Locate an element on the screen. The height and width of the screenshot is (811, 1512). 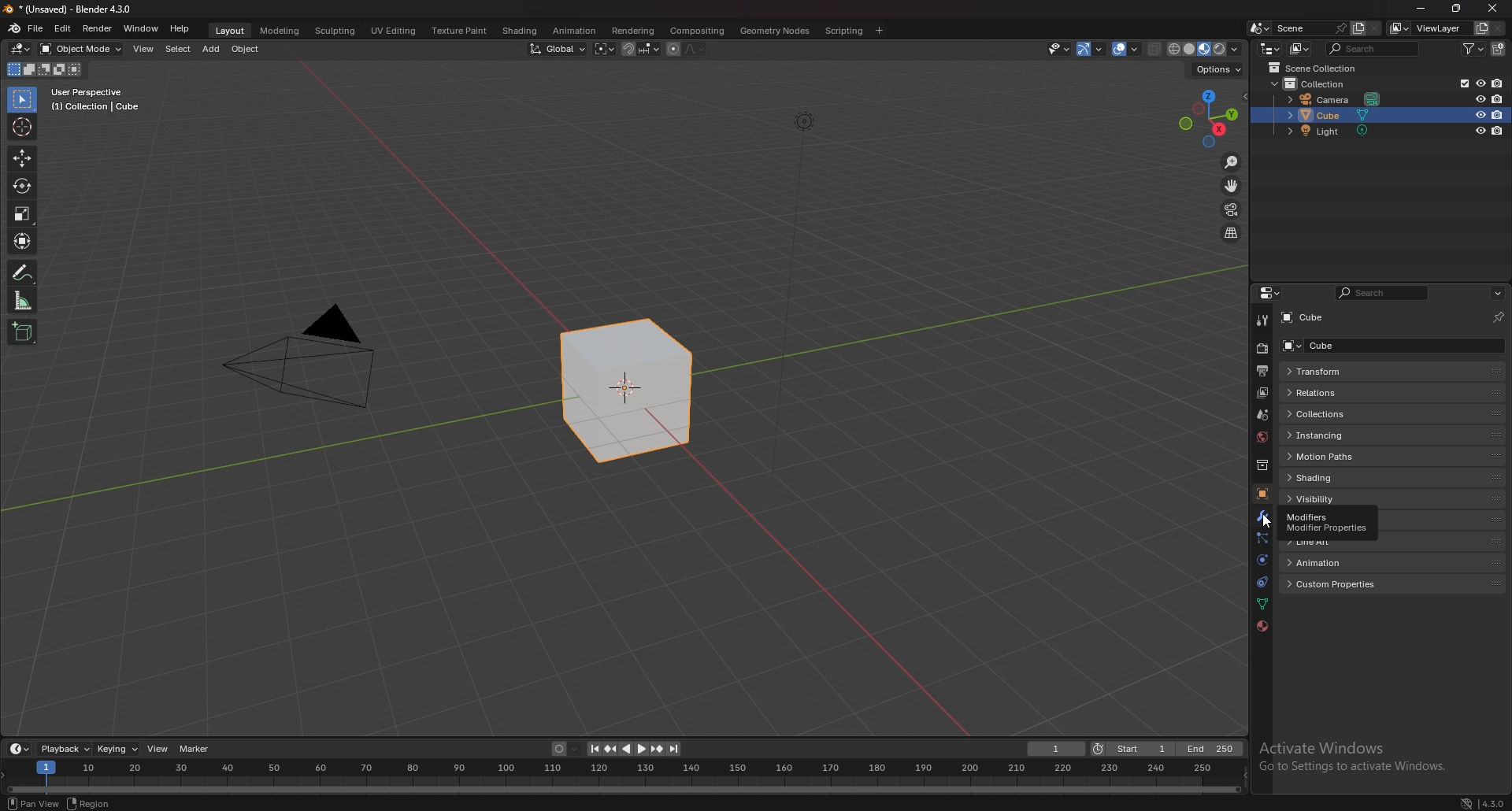
search is located at coordinates (1372, 49).